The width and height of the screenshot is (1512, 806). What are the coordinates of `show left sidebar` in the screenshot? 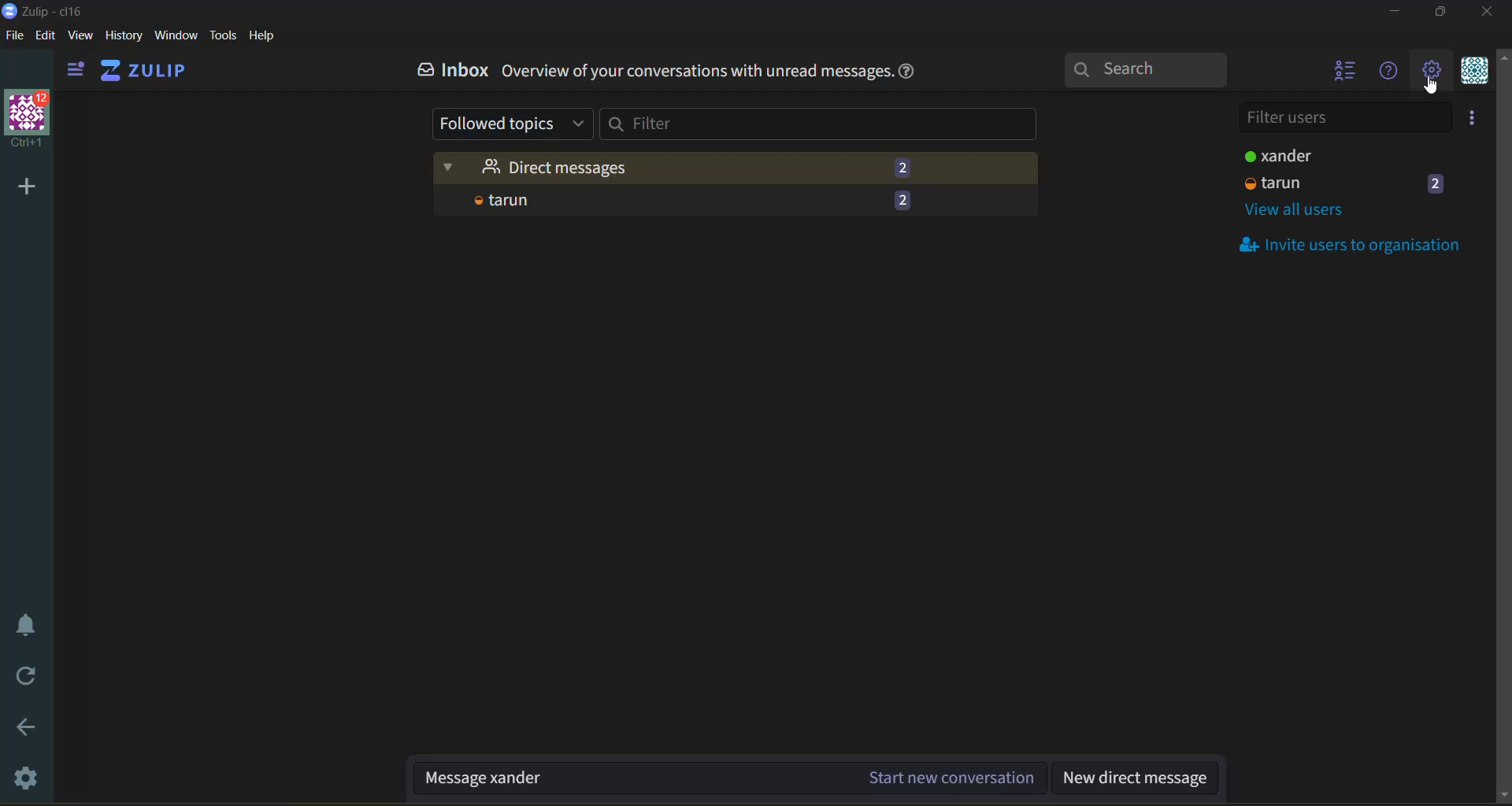 It's located at (72, 70).